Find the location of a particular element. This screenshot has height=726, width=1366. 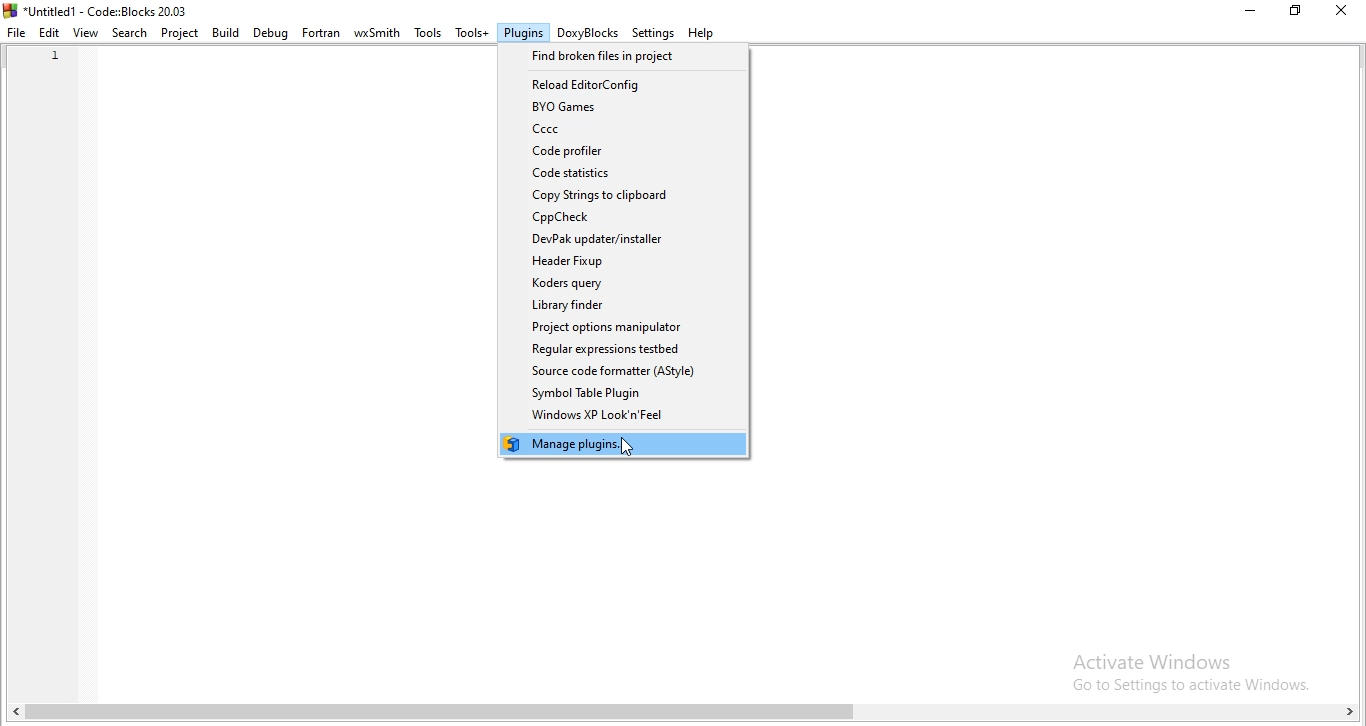

Search is located at coordinates (128, 32).